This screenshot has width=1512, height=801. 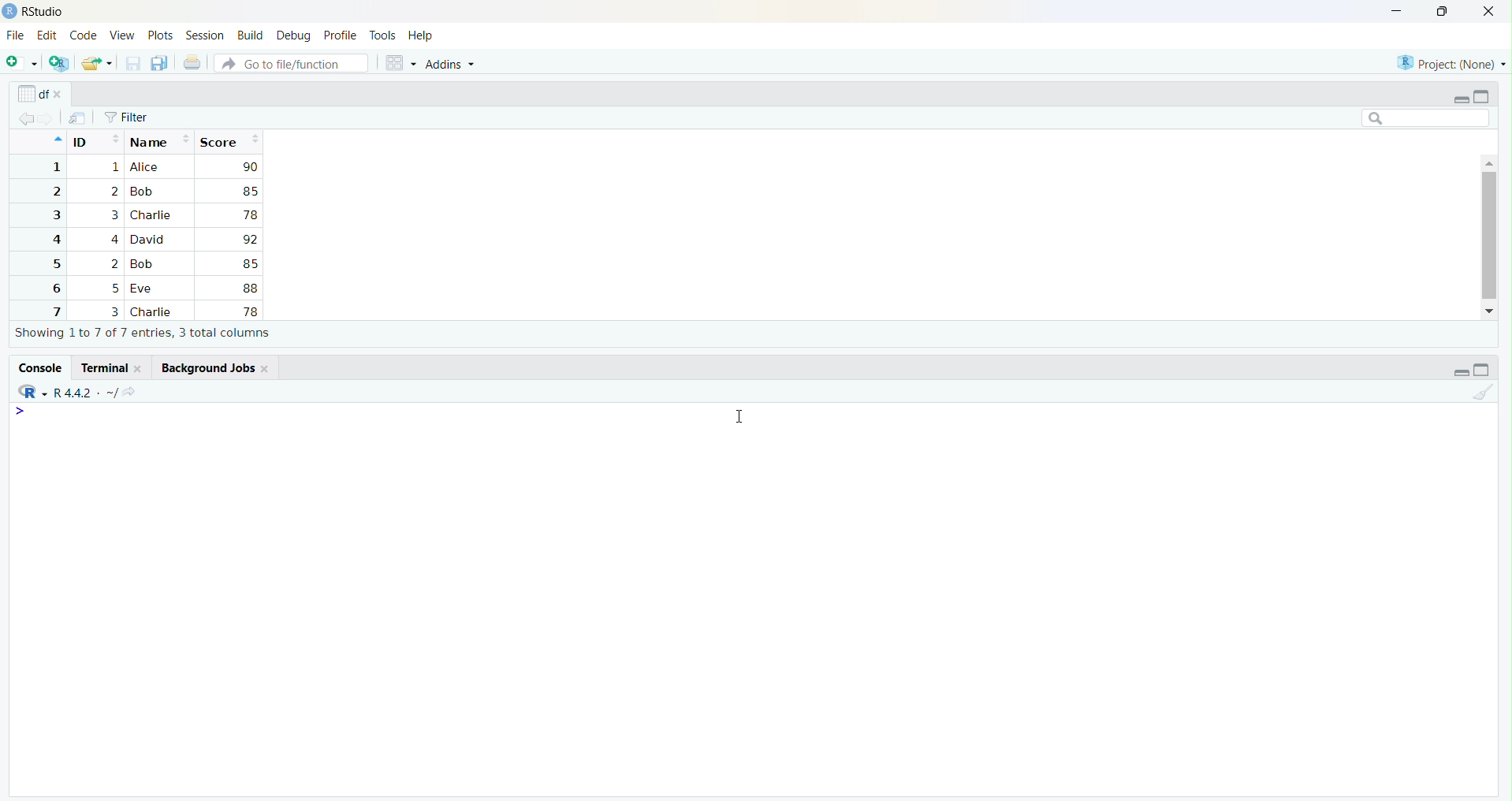 I want to click on Bob, so click(x=146, y=264).